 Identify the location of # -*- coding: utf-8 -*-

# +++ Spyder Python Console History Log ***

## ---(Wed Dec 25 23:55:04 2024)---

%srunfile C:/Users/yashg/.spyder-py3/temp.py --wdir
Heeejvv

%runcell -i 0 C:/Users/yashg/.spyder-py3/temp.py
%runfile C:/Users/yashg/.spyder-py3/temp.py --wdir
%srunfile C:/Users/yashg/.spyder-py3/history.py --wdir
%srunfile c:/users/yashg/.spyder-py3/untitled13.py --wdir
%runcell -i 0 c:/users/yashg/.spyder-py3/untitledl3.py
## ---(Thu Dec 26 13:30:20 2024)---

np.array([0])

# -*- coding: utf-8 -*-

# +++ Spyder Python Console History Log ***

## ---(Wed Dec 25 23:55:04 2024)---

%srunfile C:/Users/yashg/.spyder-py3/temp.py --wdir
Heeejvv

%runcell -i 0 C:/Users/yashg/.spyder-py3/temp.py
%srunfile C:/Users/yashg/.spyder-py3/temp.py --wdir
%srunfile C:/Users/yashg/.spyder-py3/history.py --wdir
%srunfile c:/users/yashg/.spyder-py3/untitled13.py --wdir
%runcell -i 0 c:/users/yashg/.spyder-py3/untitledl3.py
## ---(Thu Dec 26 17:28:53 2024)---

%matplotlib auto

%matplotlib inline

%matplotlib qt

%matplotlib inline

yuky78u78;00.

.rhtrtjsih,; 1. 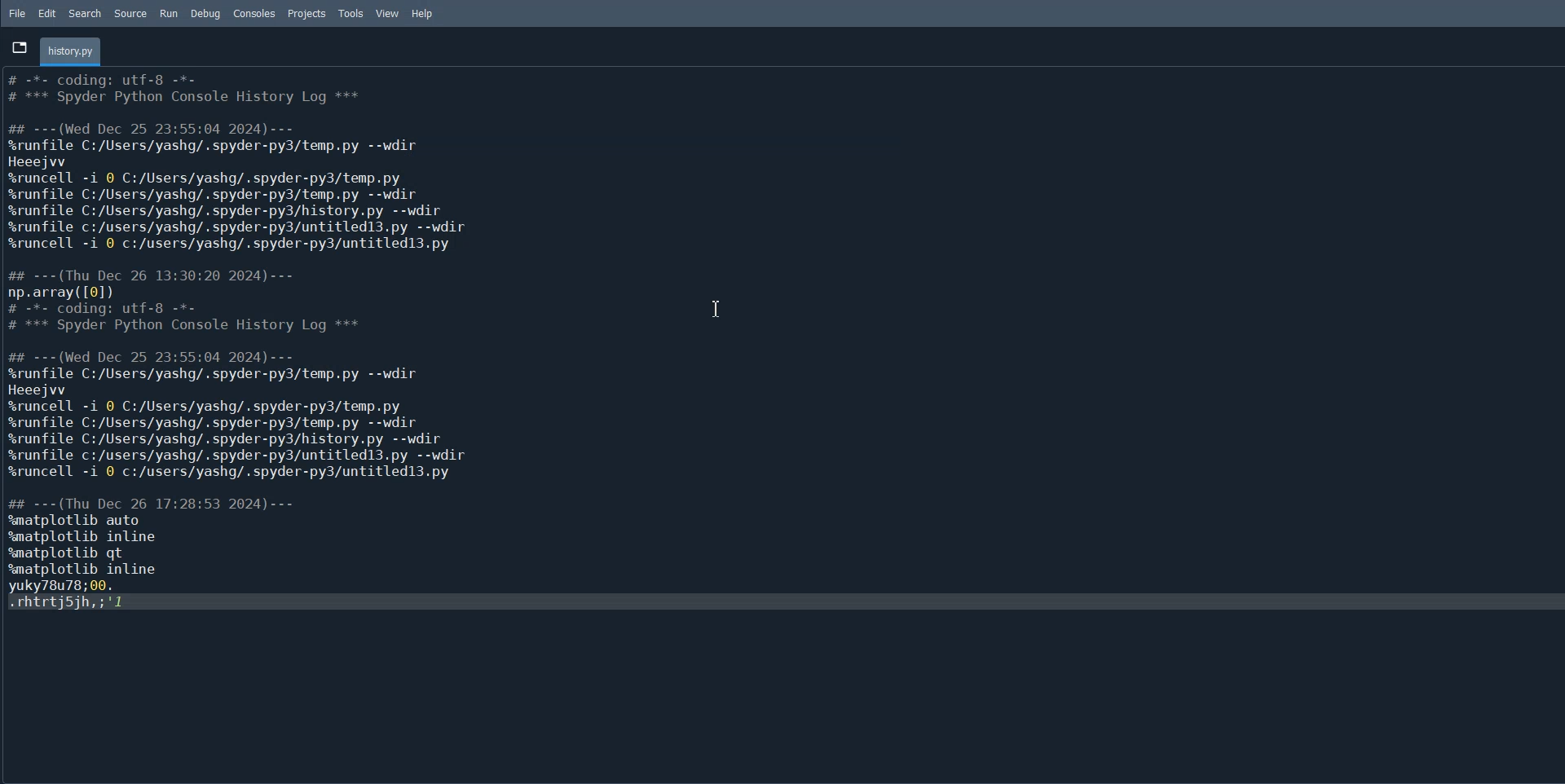
(280, 350).